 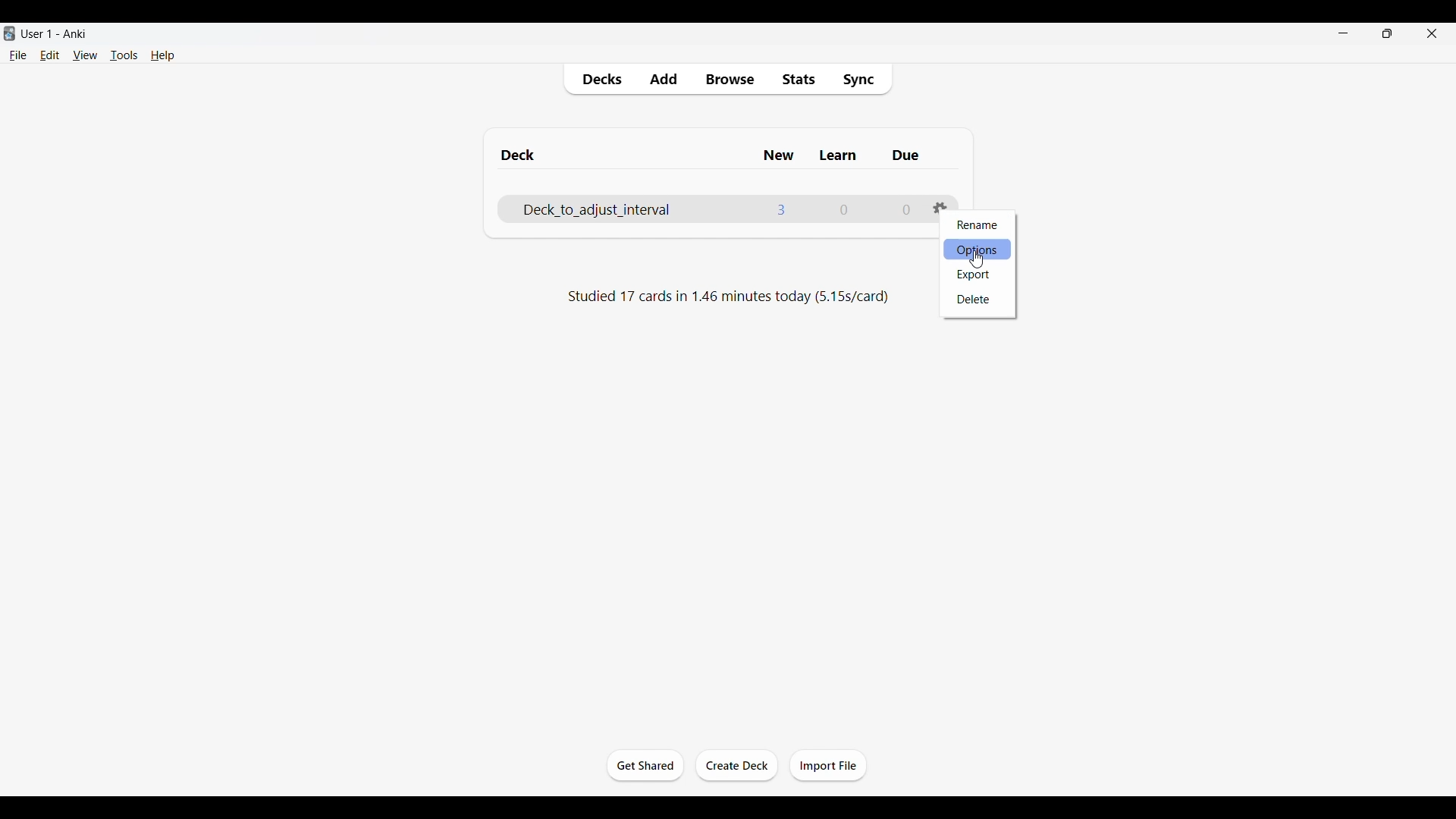 What do you see at coordinates (779, 158) in the screenshot?
I see `New column` at bounding box center [779, 158].